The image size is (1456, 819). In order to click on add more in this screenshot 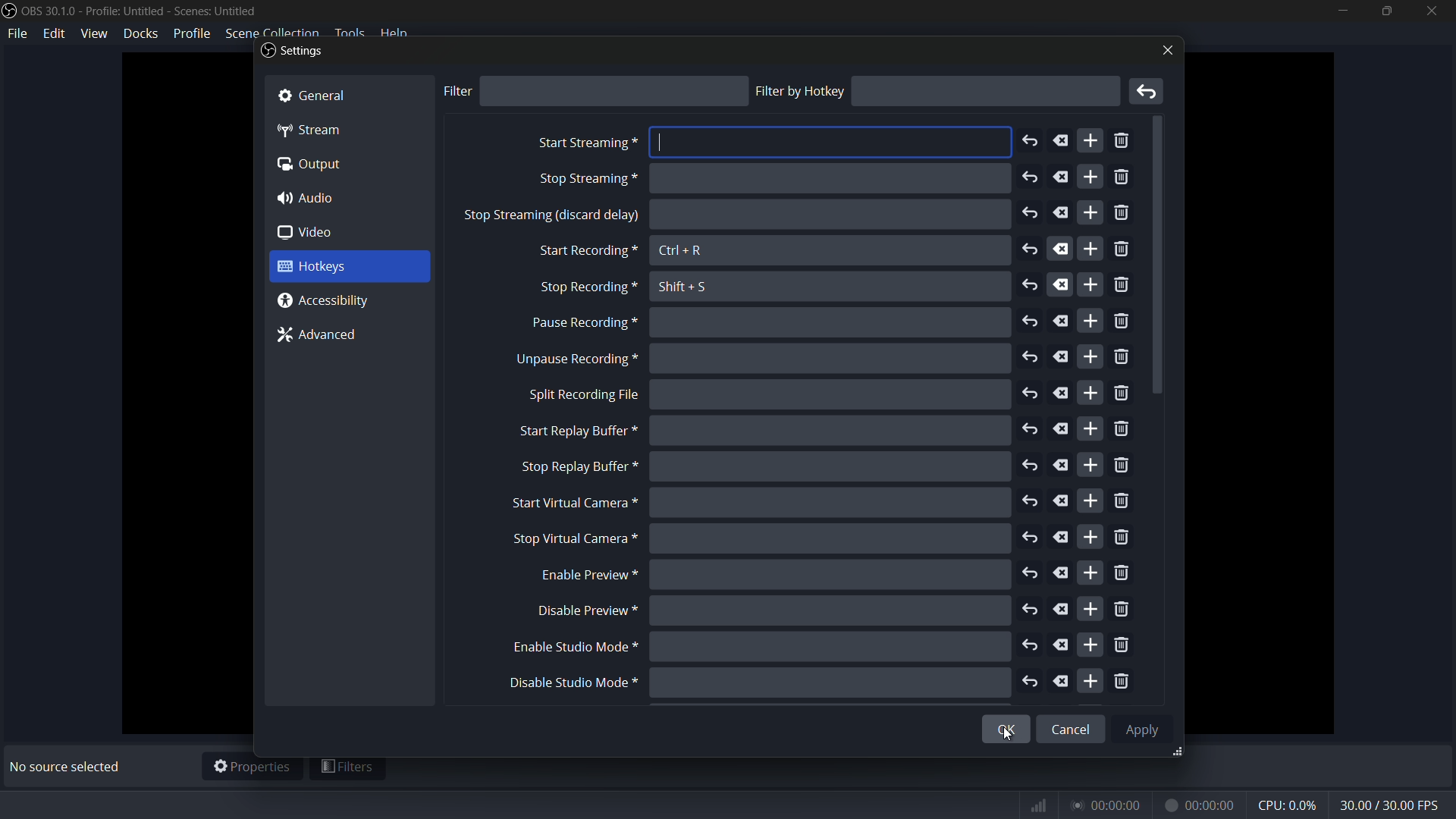, I will do `click(1092, 249)`.